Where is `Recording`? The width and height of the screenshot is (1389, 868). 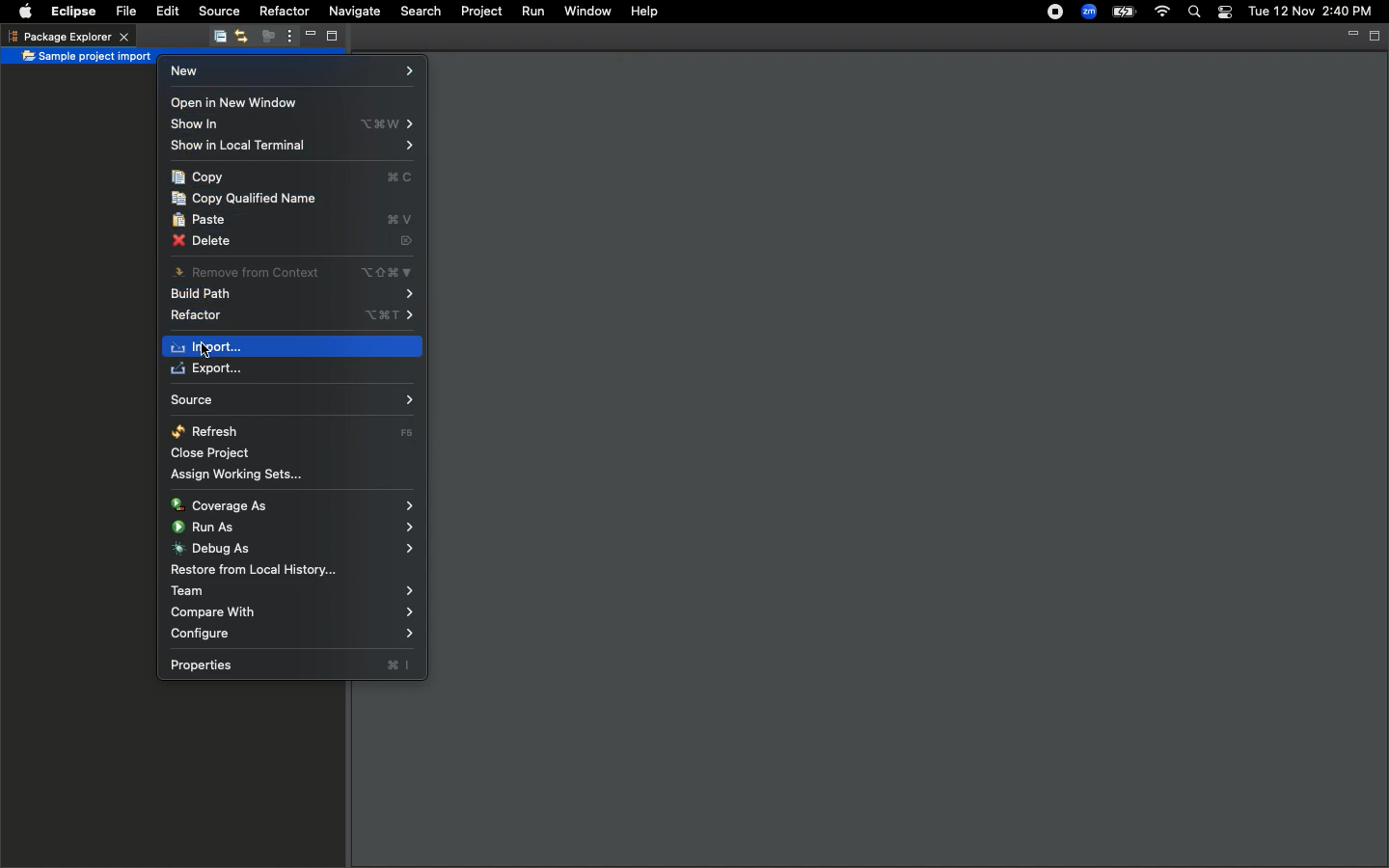 Recording is located at coordinates (1047, 14).